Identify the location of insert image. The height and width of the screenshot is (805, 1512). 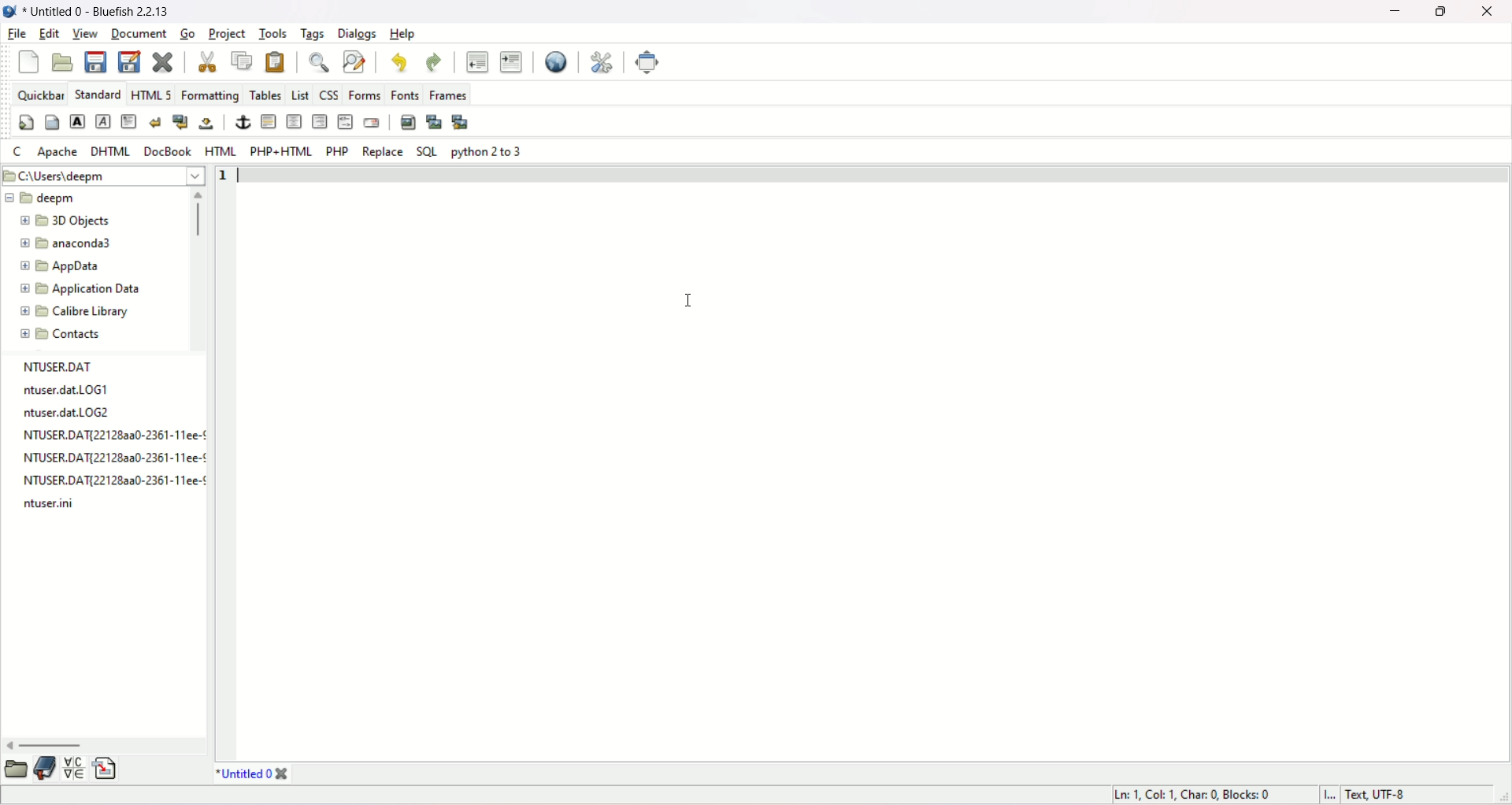
(407, 123).